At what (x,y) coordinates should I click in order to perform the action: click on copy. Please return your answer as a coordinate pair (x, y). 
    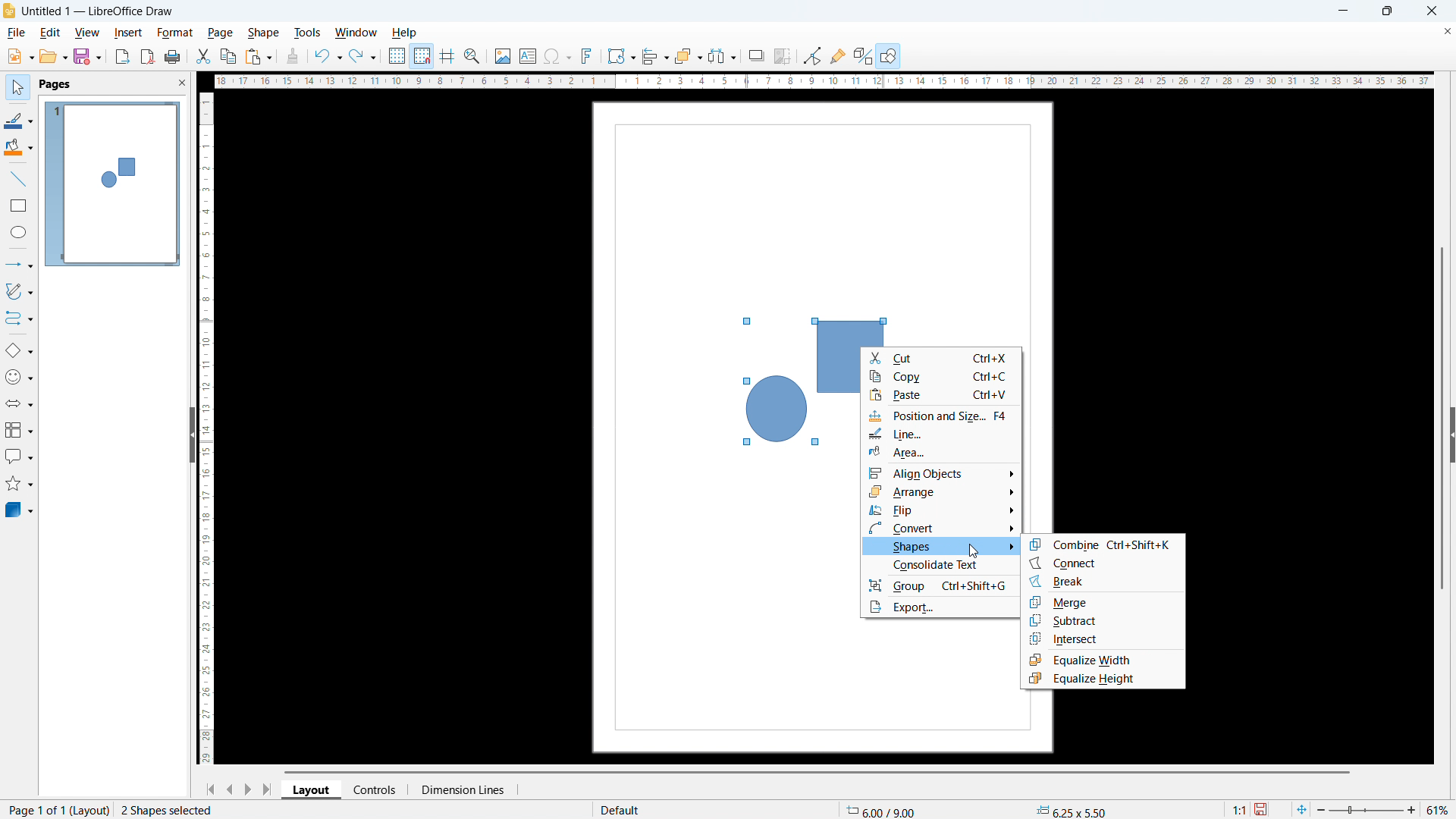
    Looking at the image, I should click on (942, 375).